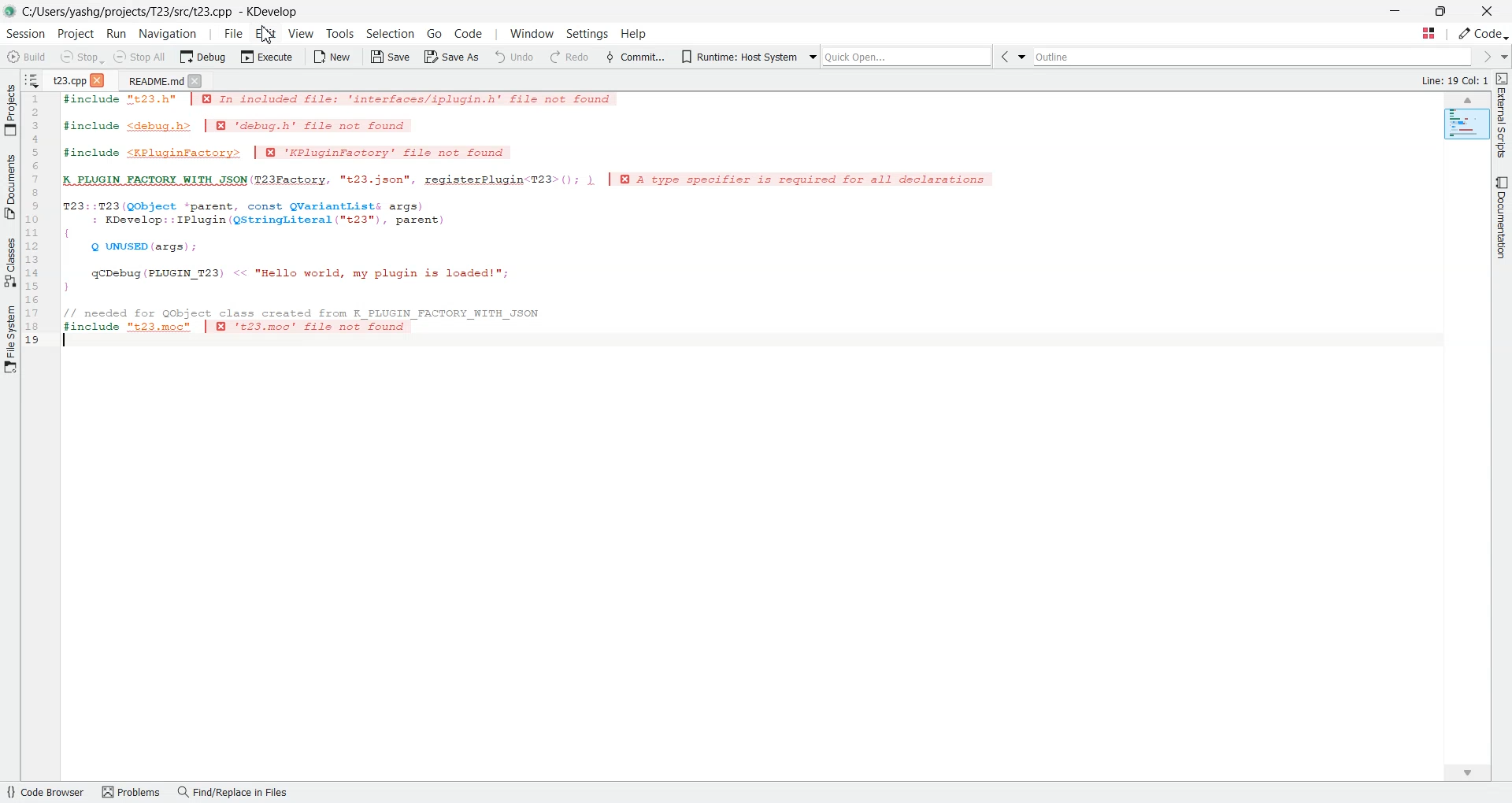 The image size is (1512, 803). I want to click on help, so click(633, 35).